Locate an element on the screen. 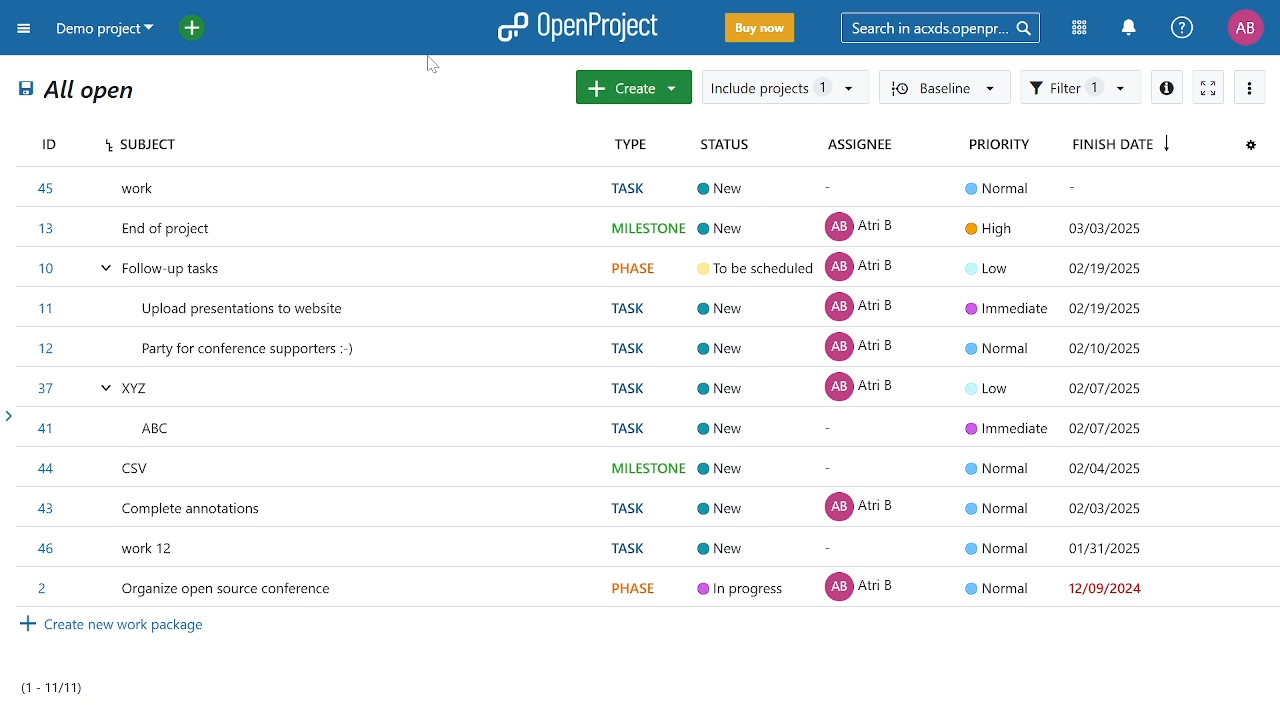 This screenshot has width=1280, height=720. info is located at coordinates (1170, 87).